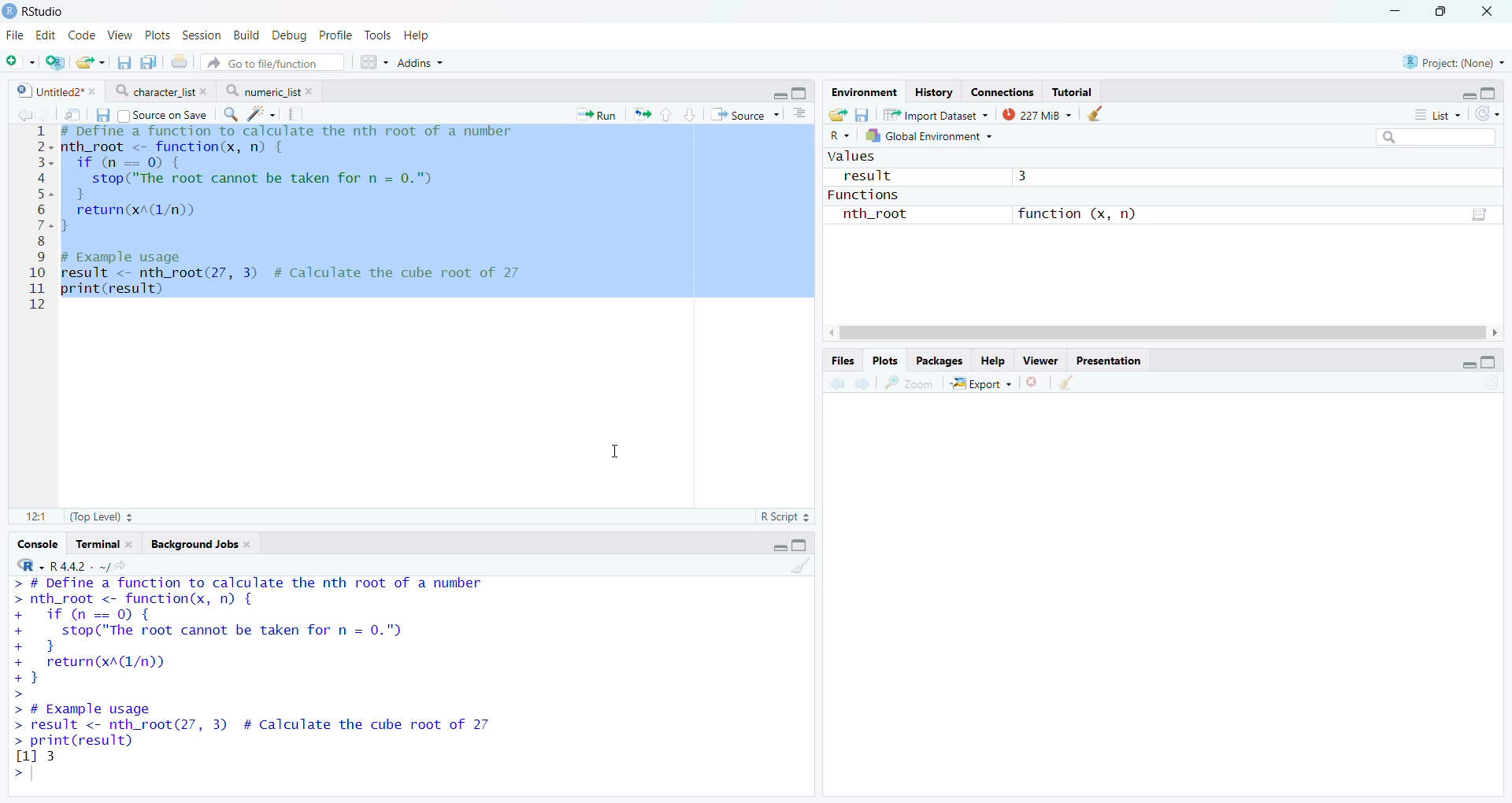 This screenshot has height=803, width=1512. Describe the element at coordinates (262, 114) in the screenshot. I see `Code Tools` at that location.